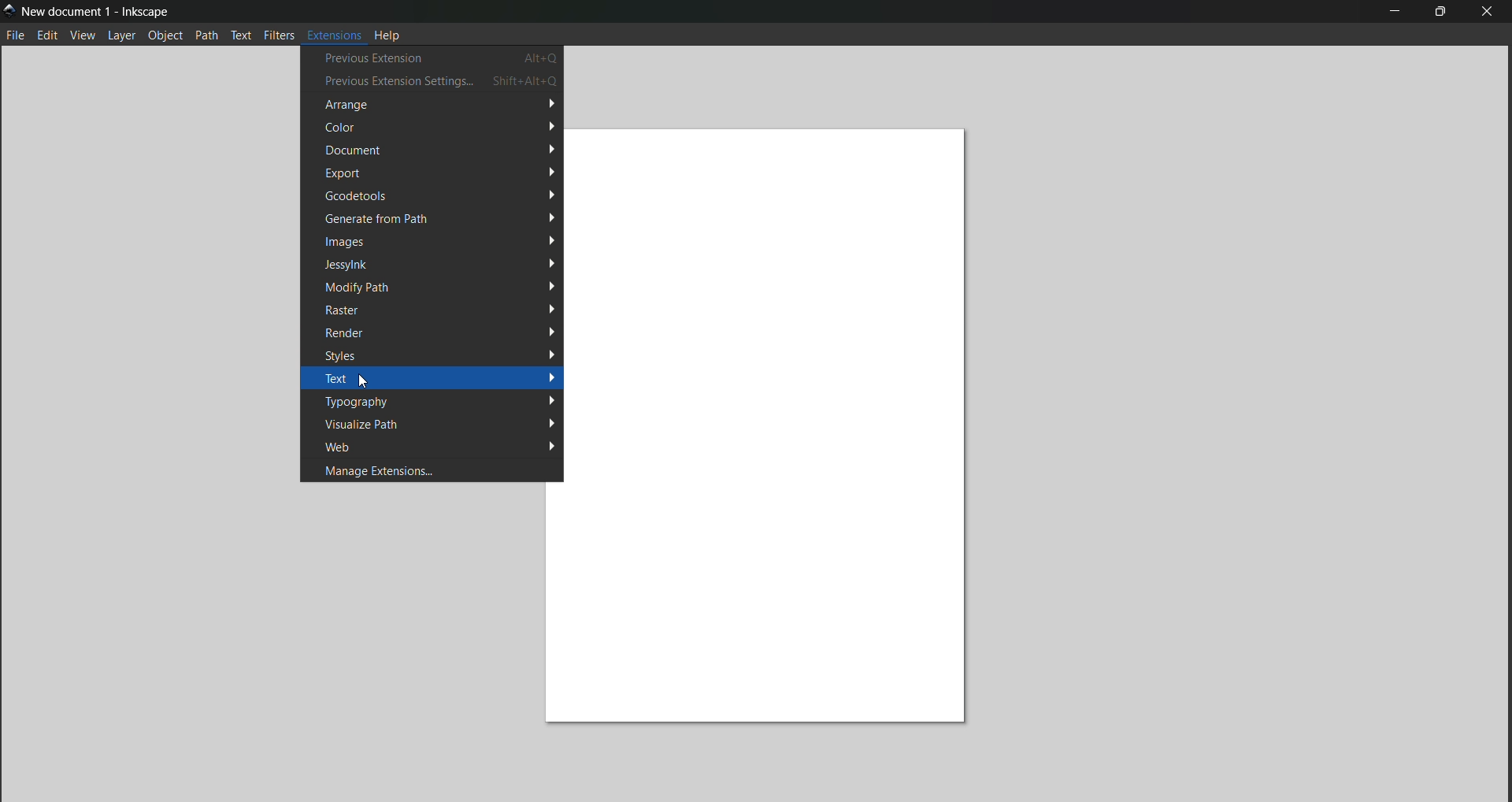 The height and width of the screenshot is (802, 1512). I want to click on document, so click(437, 150).